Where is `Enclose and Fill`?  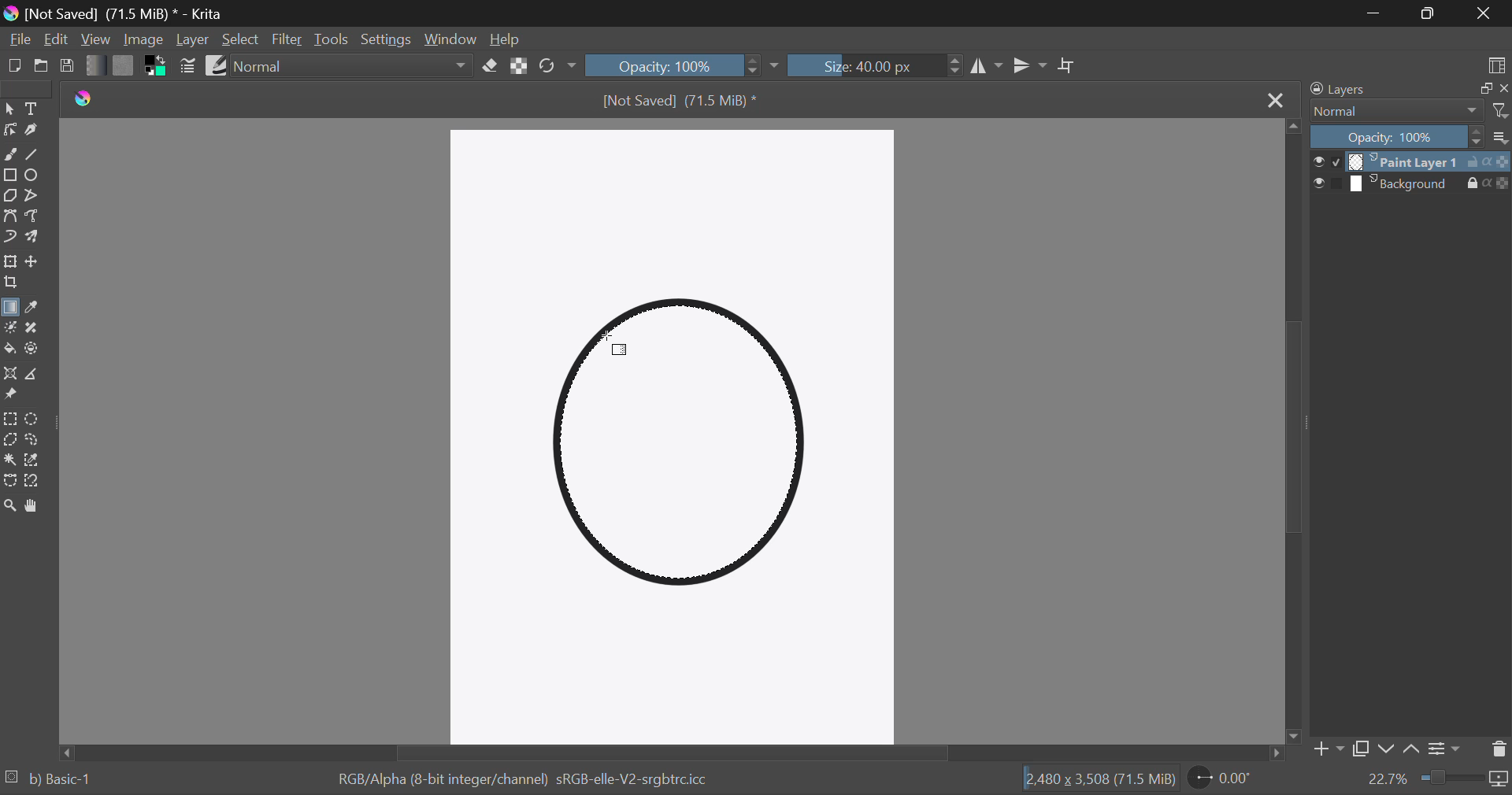 Enclose and Fill is located at coordinates (37, 349).